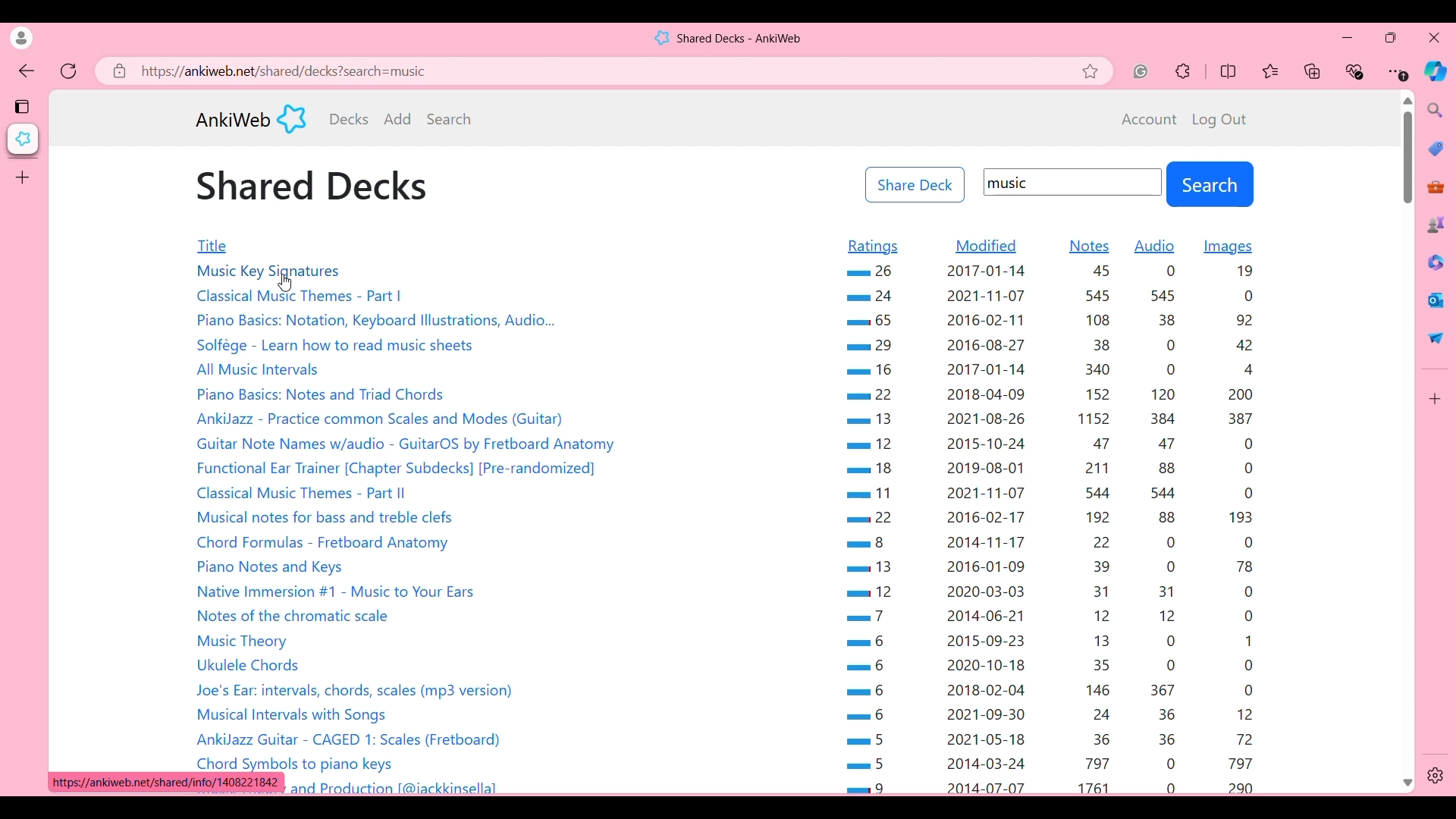 This screenshot has width=1456, height=819. Describe the element at coordinates (1272, 71) in the screenshot. I see `Favorites` at that location.